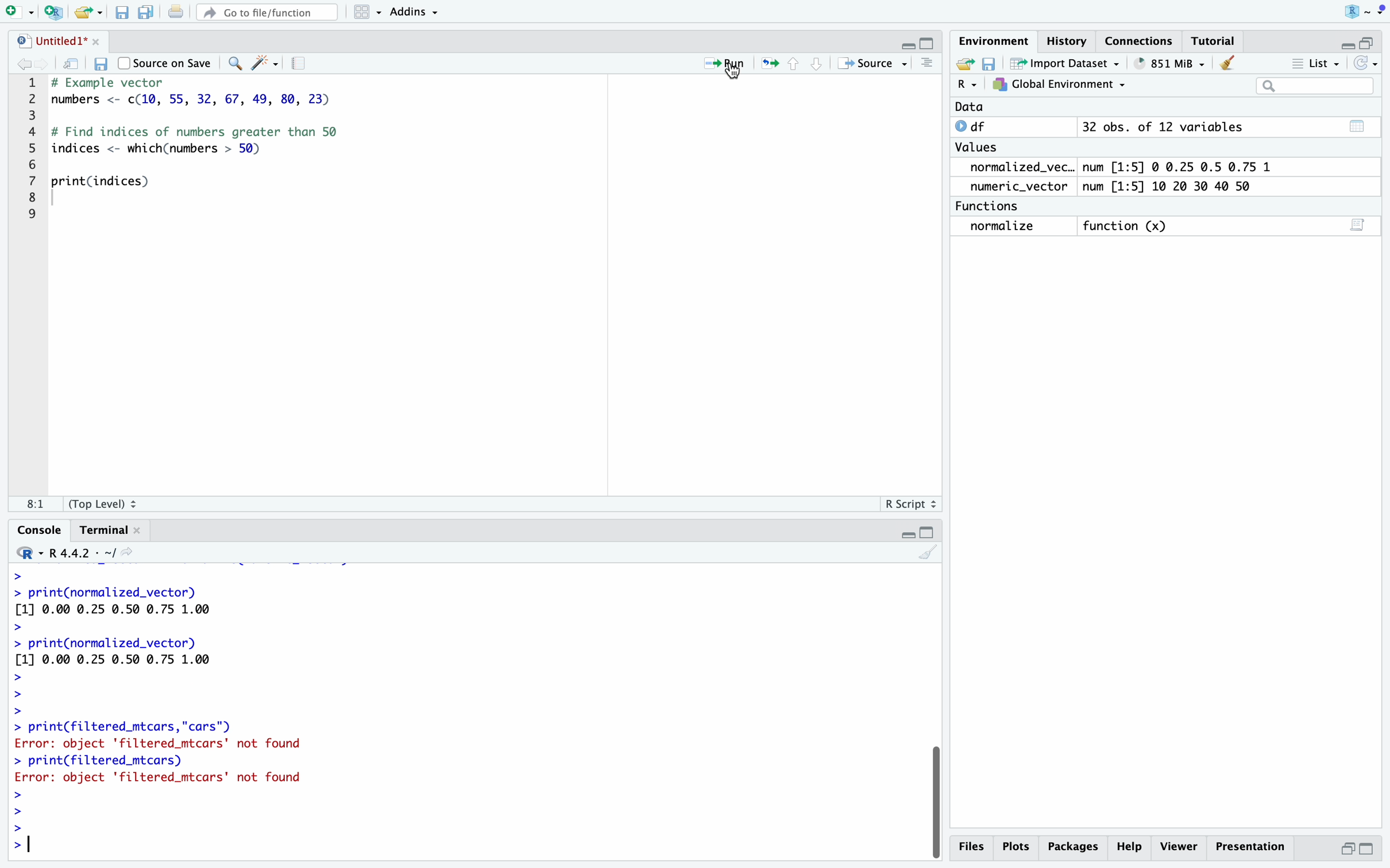  What do you see at coordinates (875, 63) in the screenshot?
I see `Source ` at bounding box center [875, 63].